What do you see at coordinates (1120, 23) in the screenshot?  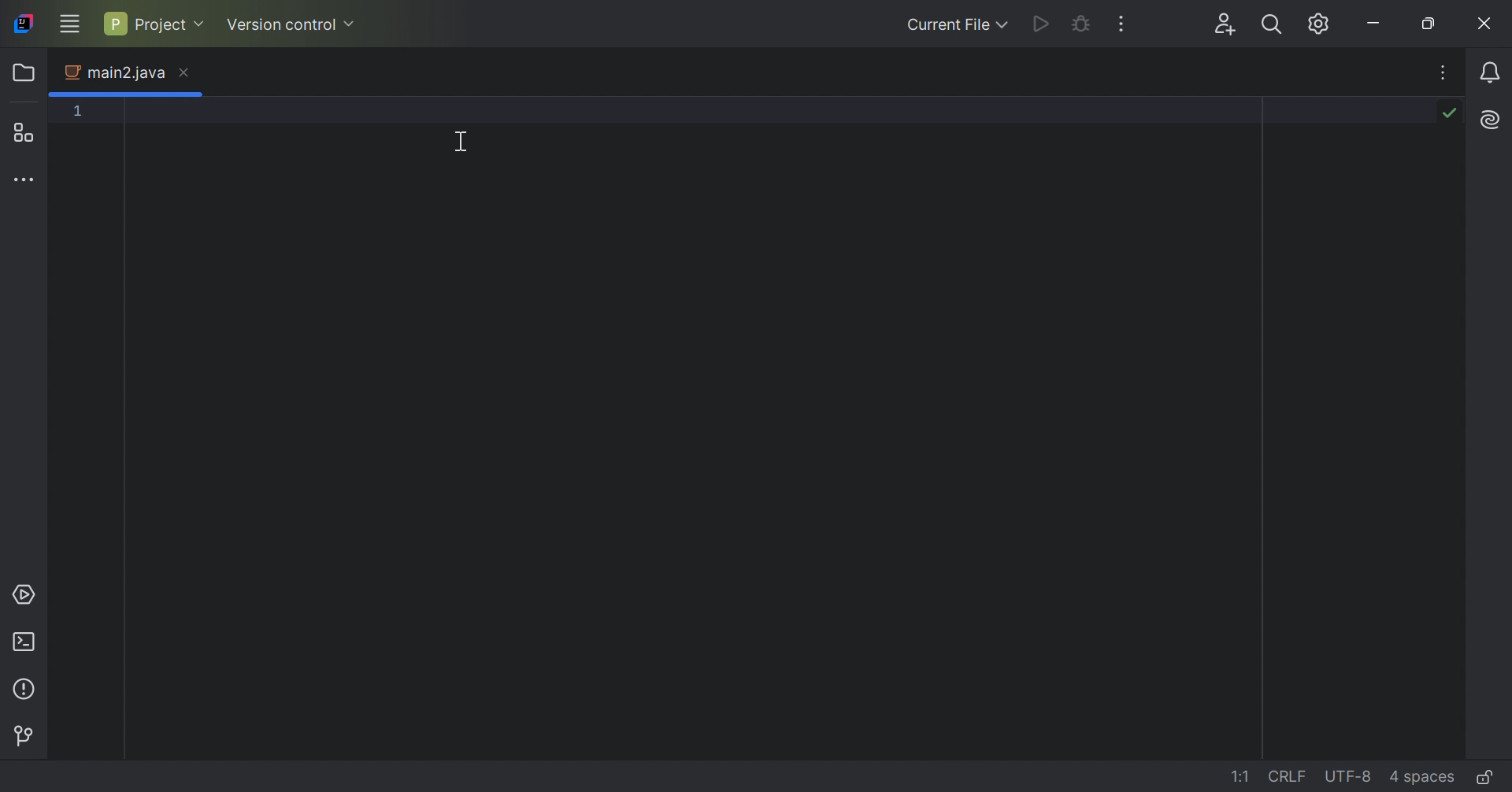 I see `More Actions` at bounding box center [1120, 23].